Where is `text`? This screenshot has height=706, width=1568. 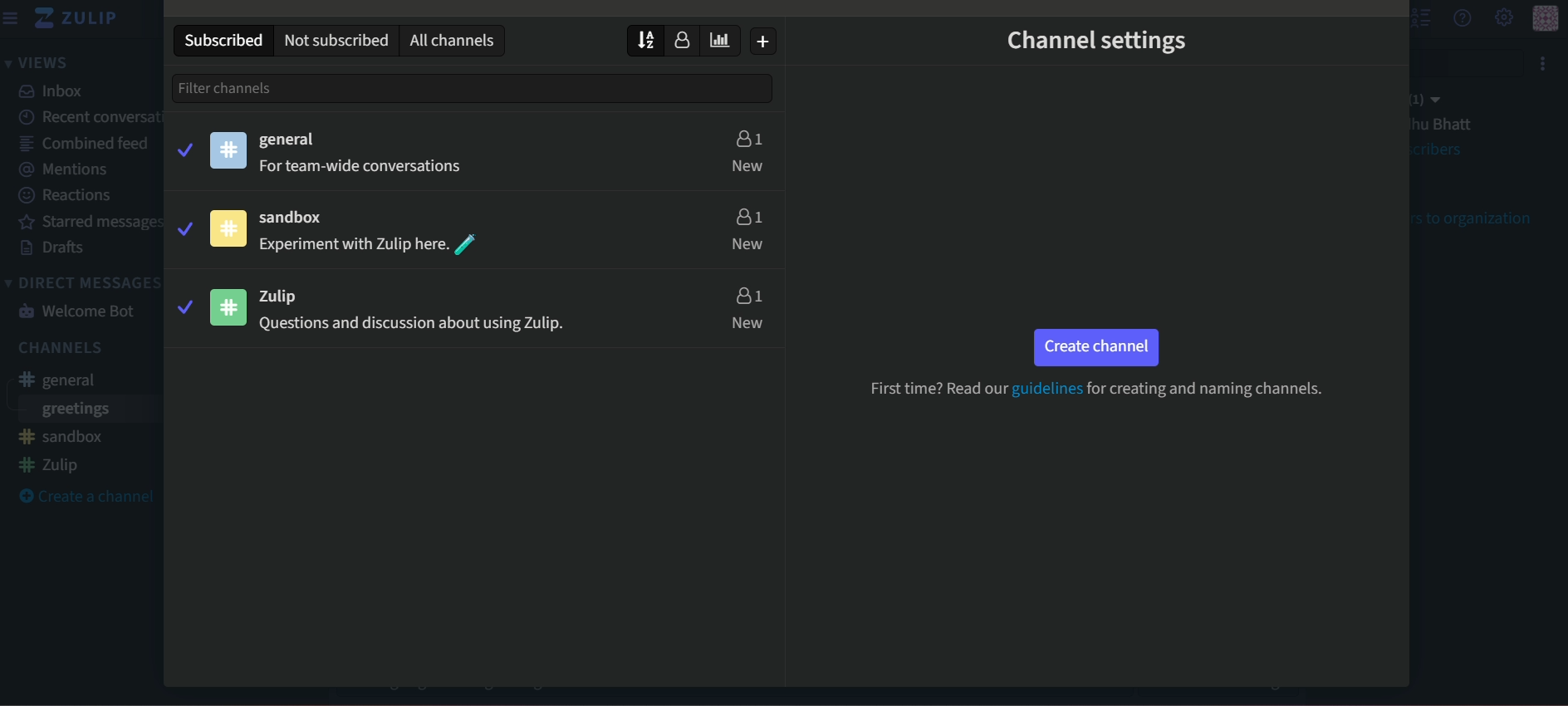
text is located at coordinates (412, 325).